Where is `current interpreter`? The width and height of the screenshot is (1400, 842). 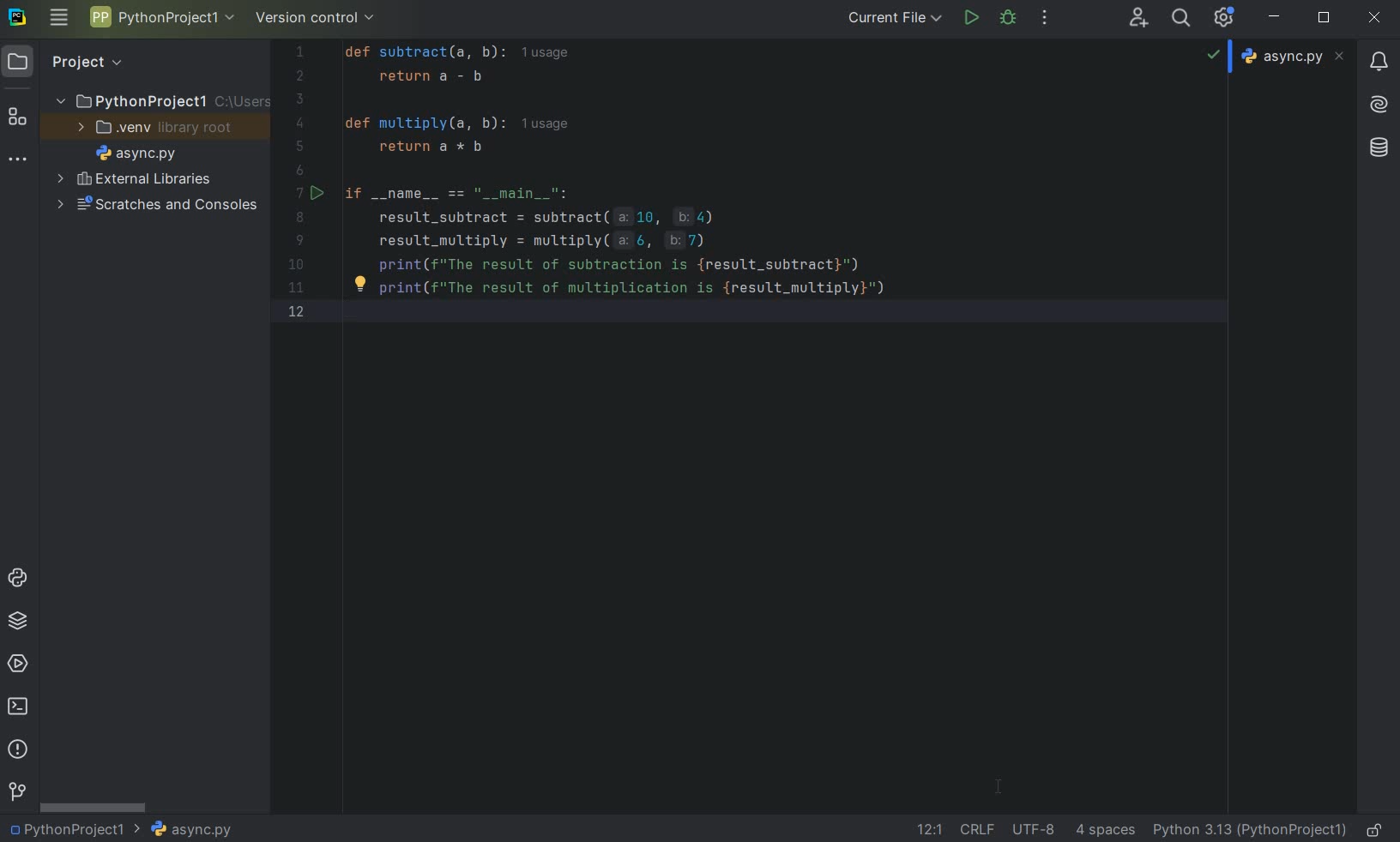
current interpreter is located at coordinates (1252, 831).